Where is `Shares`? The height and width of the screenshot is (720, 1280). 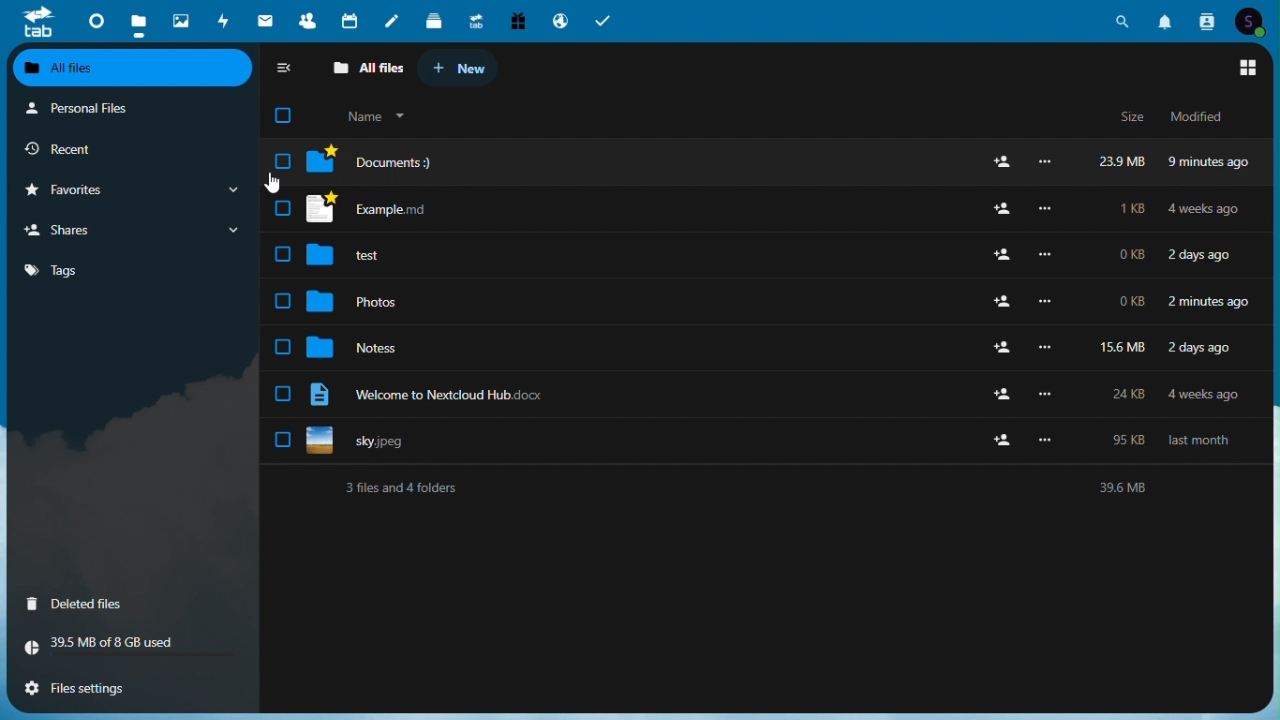 Shares is located at coordinates (126, 233).